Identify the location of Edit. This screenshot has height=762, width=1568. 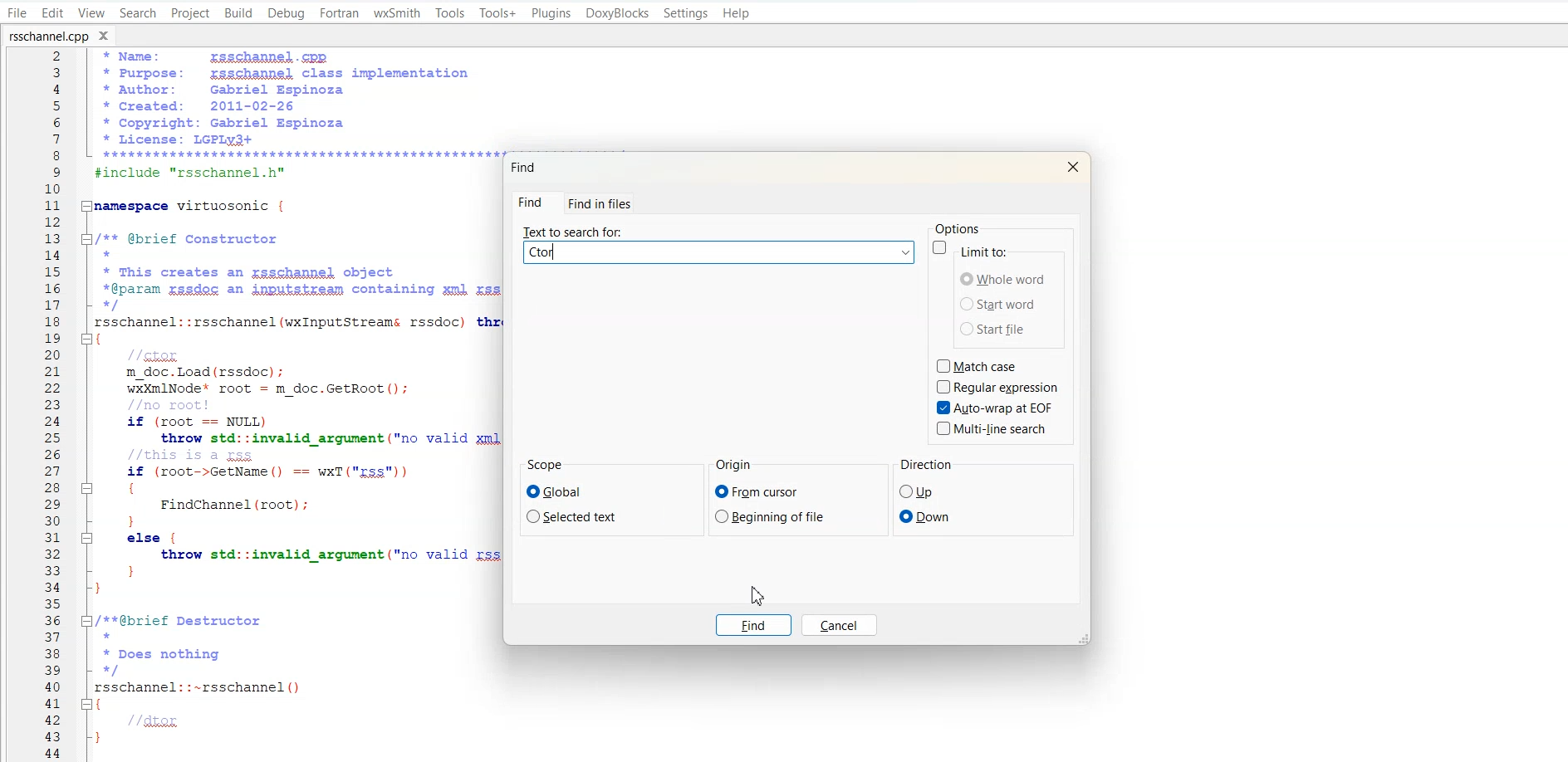
(51, 12).